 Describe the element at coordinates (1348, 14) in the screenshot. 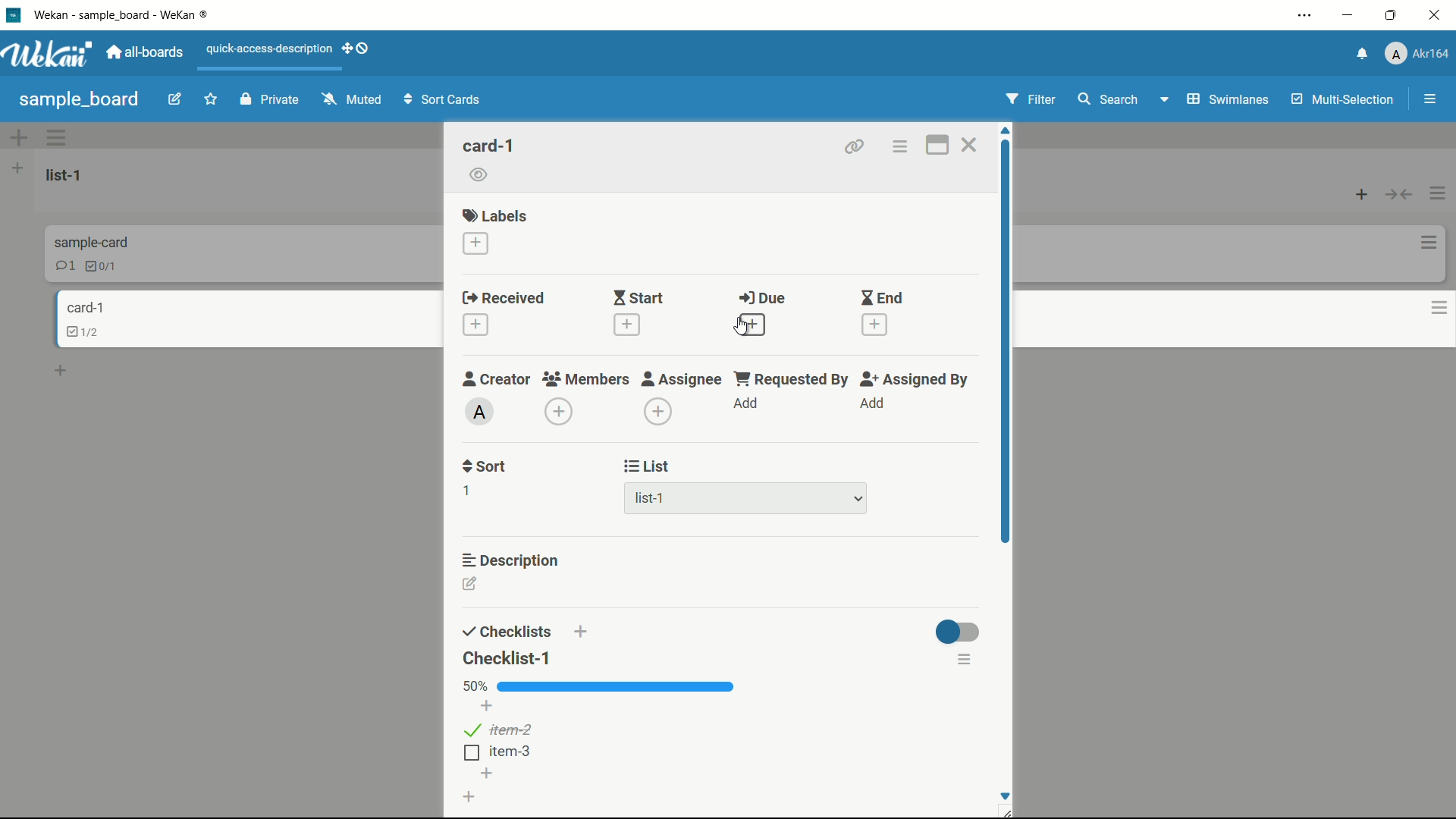

I see `minimize` at that location.